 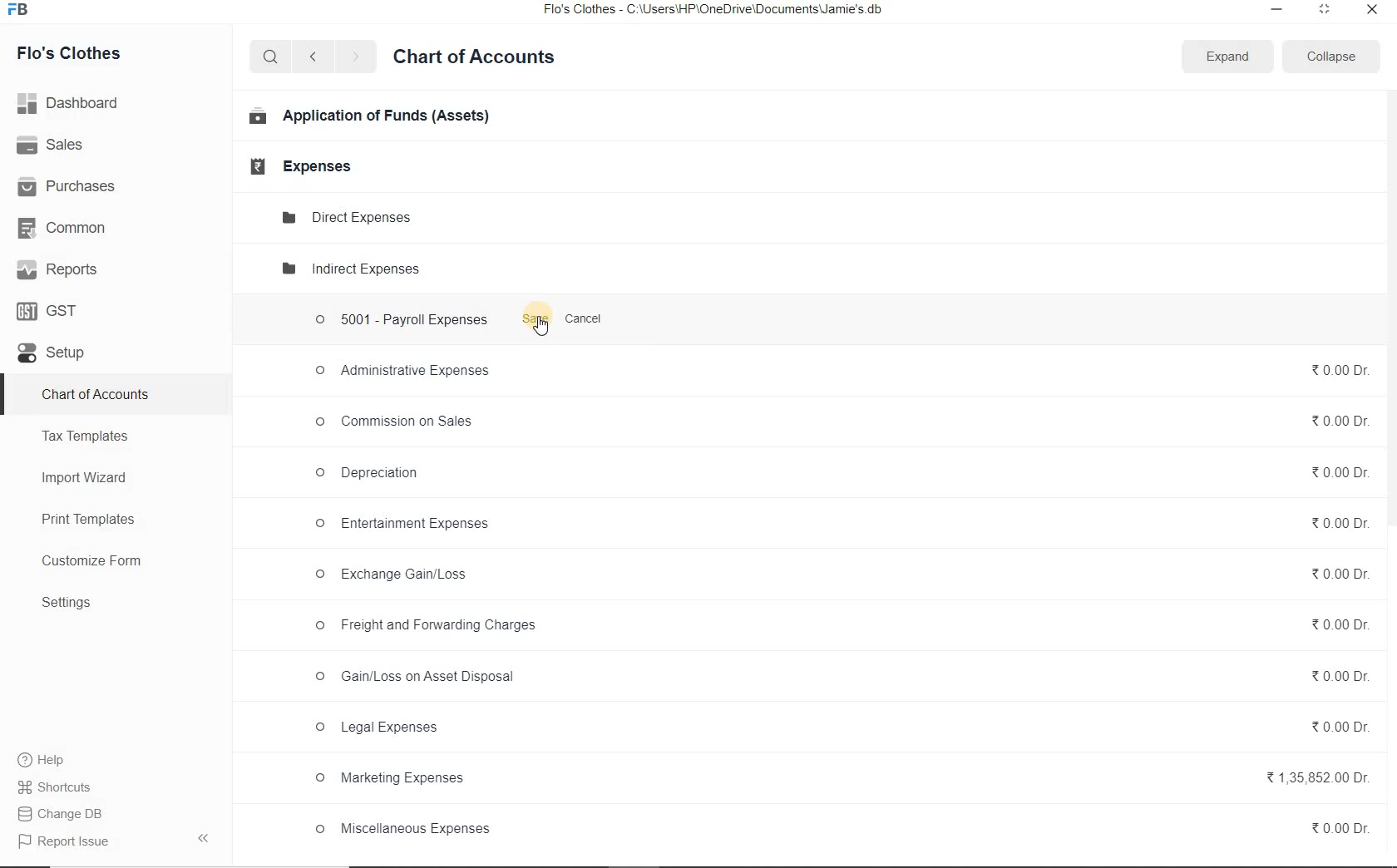 I want to click on Reports, so click(x=57, y=269).